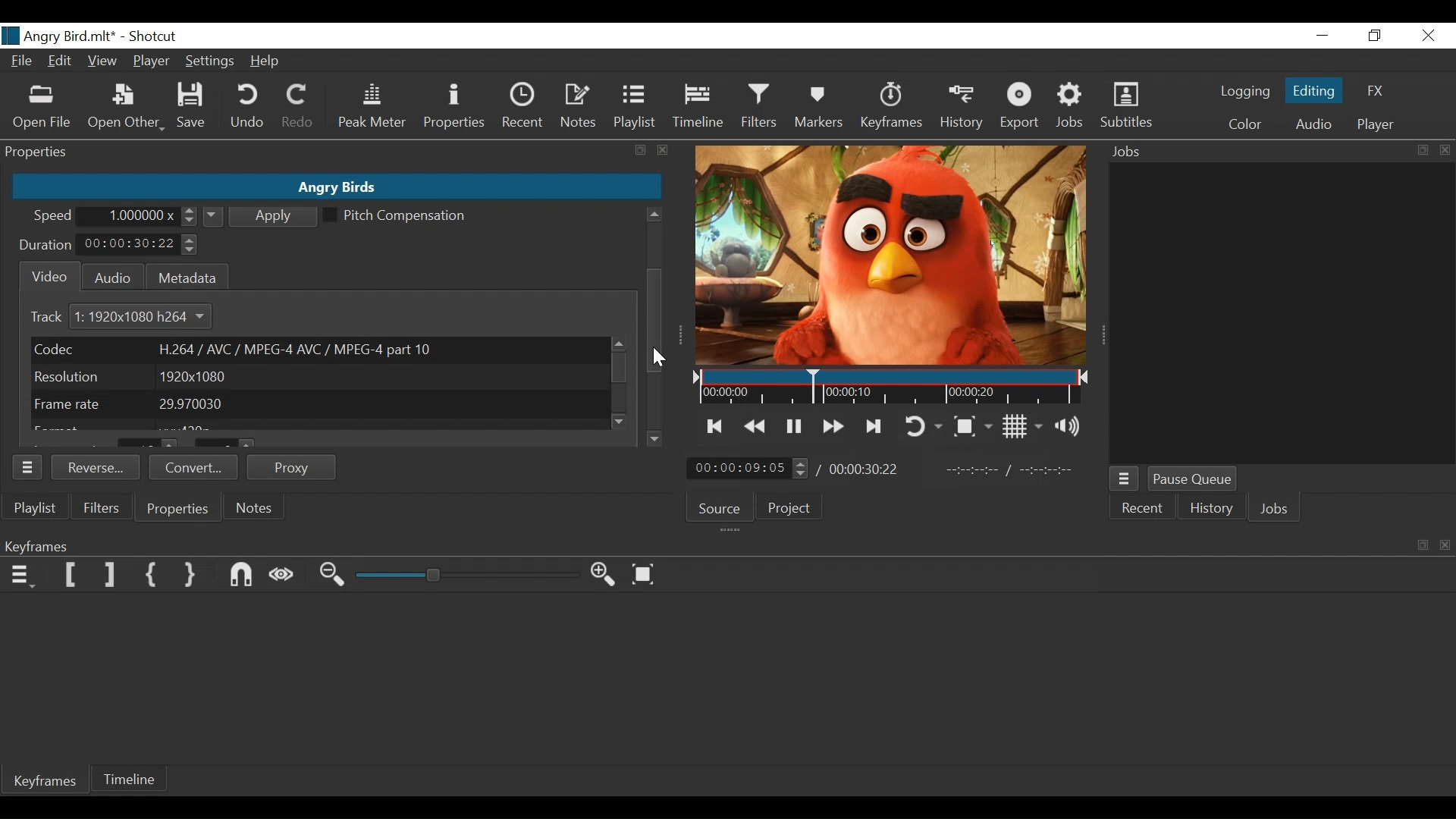 This screenshot has width=1456, height=819. I want to click on Jobs, so click(1276, 509).